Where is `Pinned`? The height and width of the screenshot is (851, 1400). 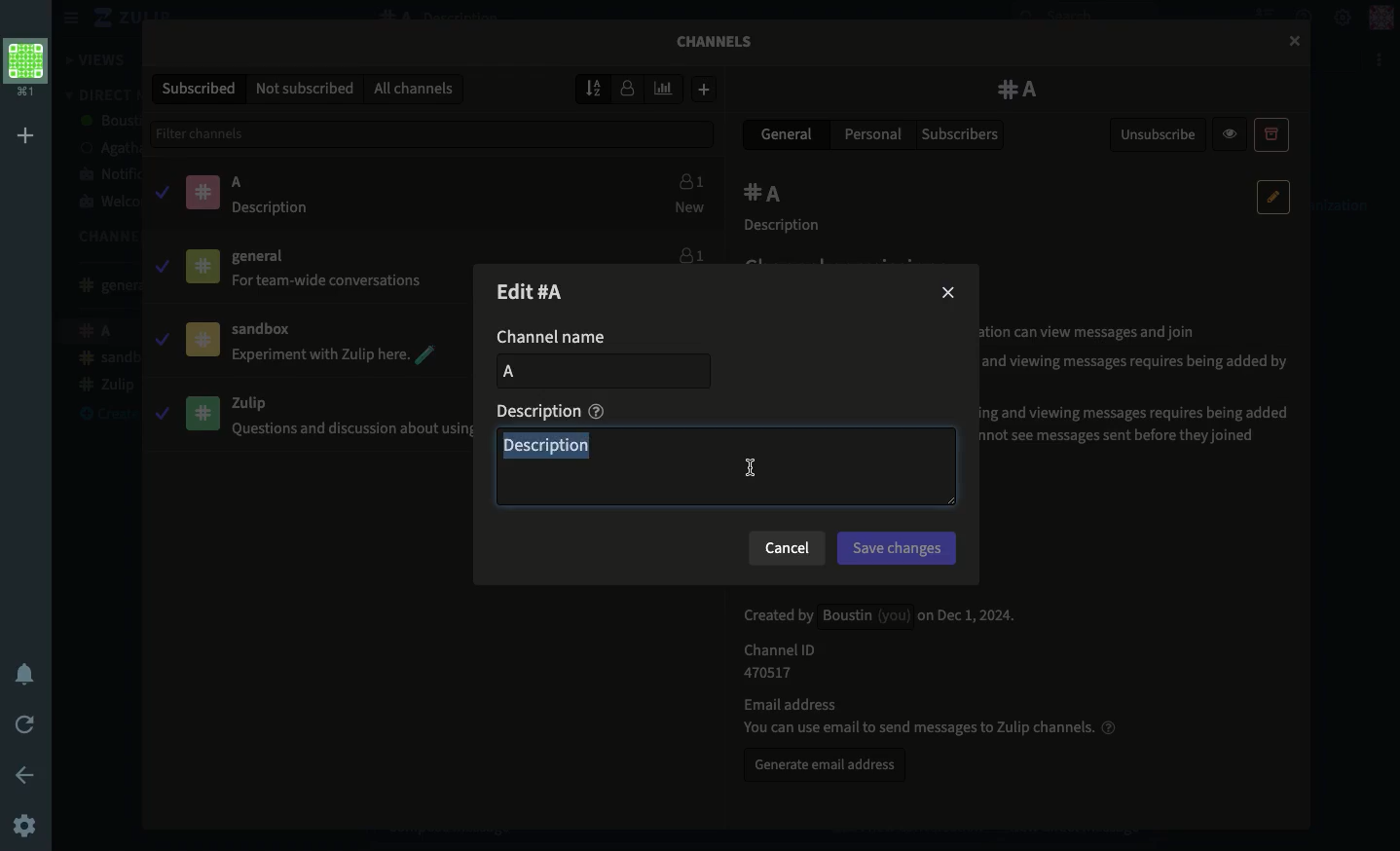 Pinned is located at coordinates (211, 263).